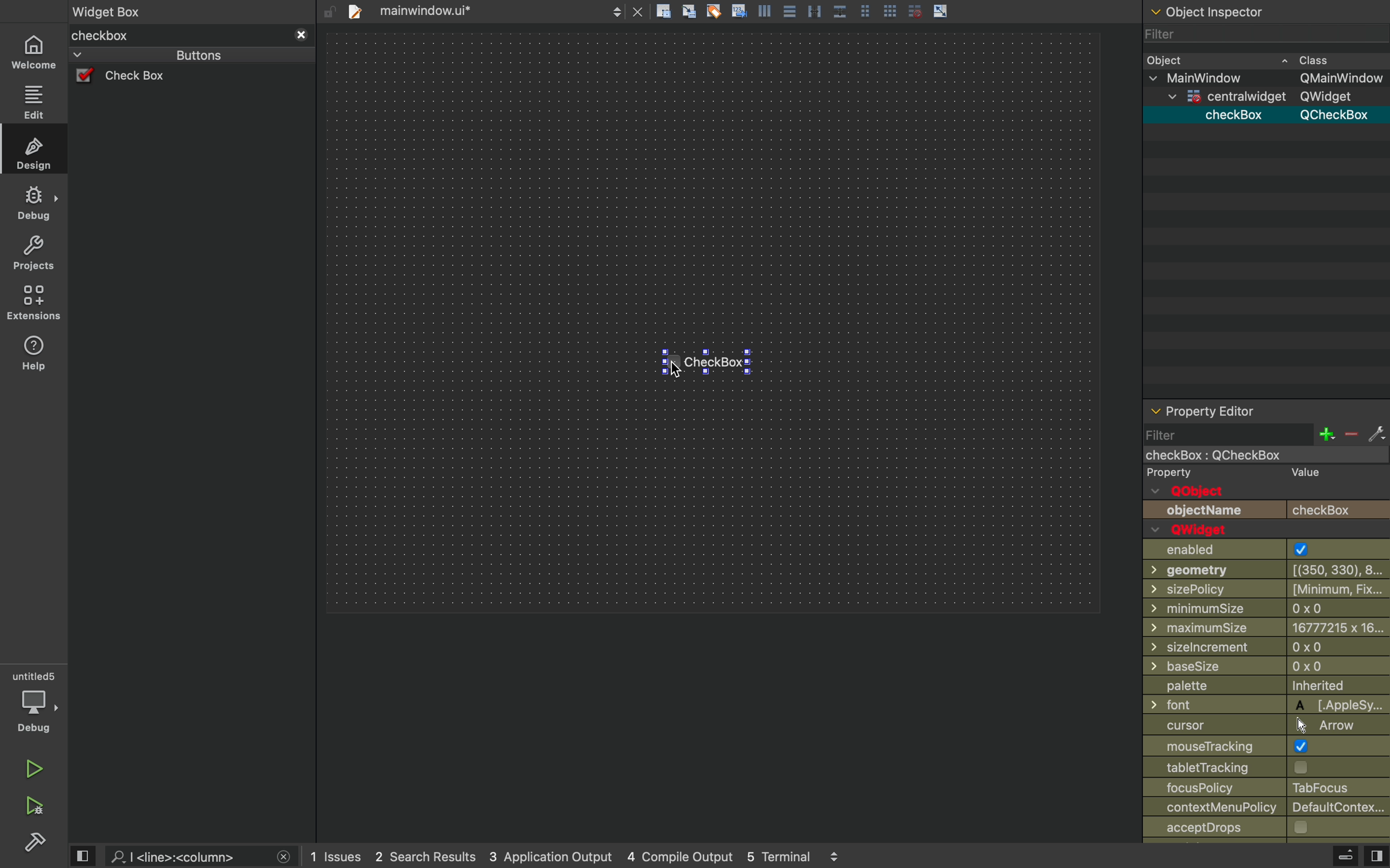  What do you see at coordinates (32, 303) in the screenshot?
I see `environment` at bounding box center [32, 303].